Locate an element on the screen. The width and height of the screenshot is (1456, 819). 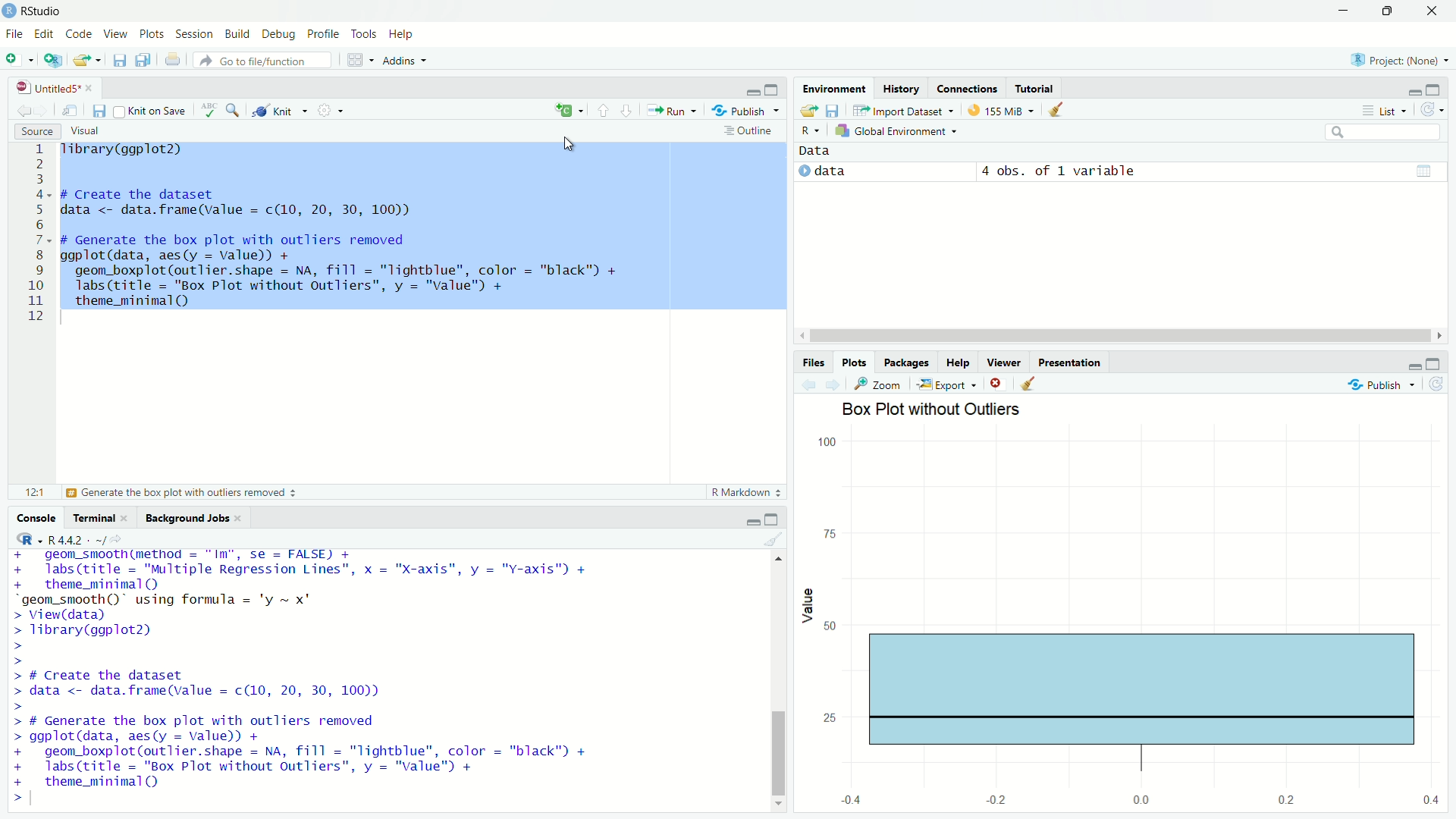
close is located at coordinates (1437, 13).